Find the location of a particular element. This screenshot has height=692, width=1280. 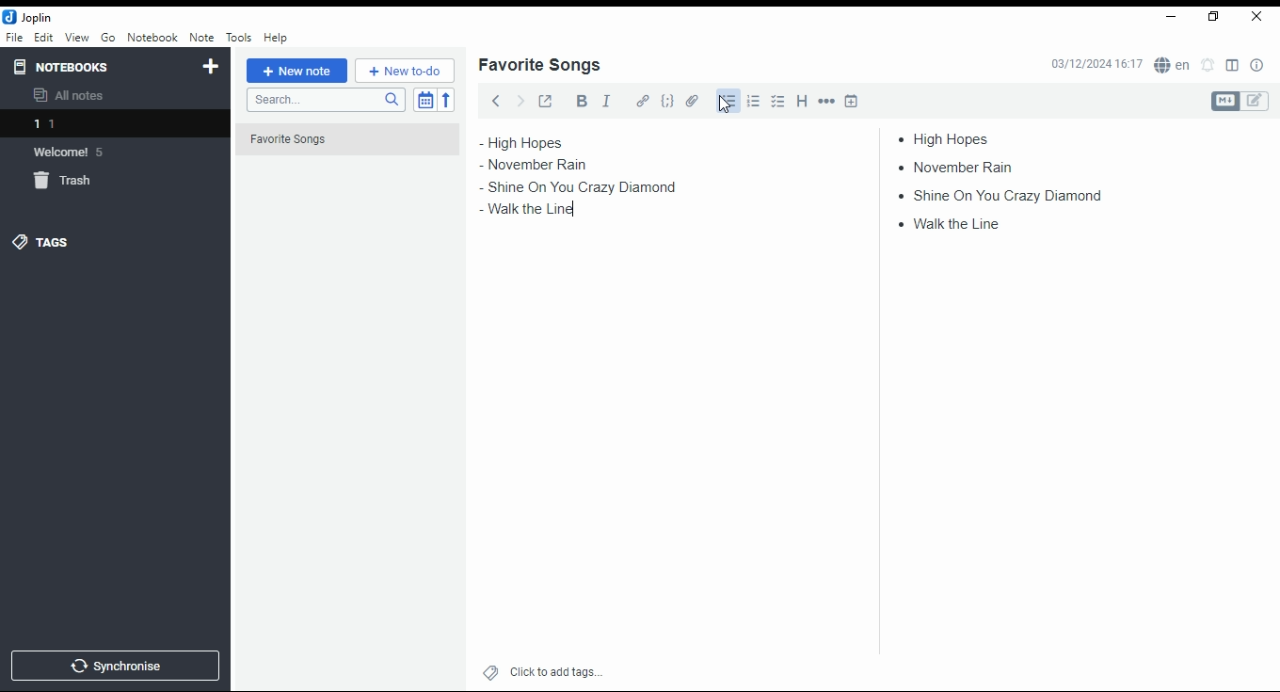

view is located at coordinates (77, 38).